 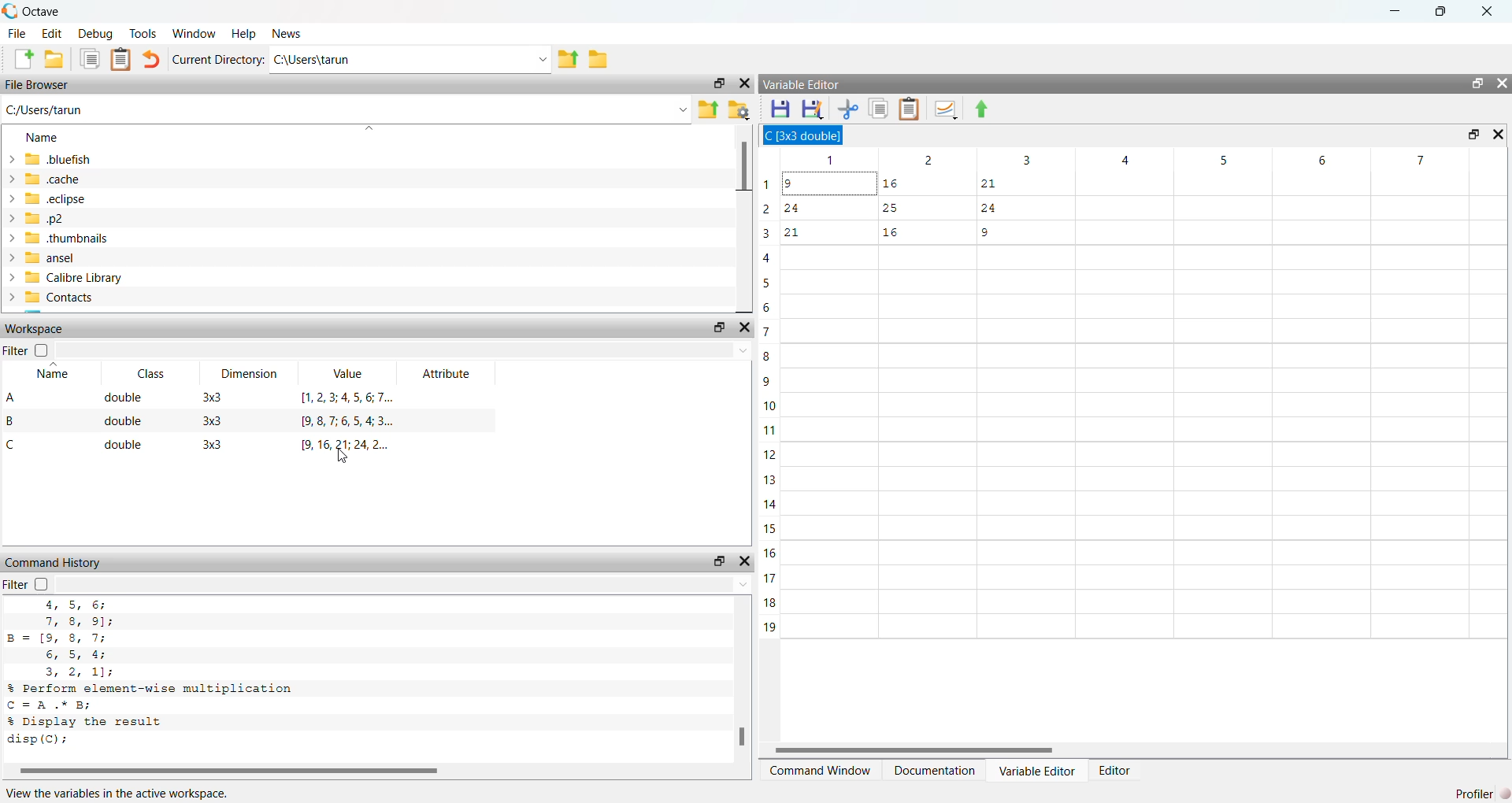 I want to click on News, so click(x=287, y=33).